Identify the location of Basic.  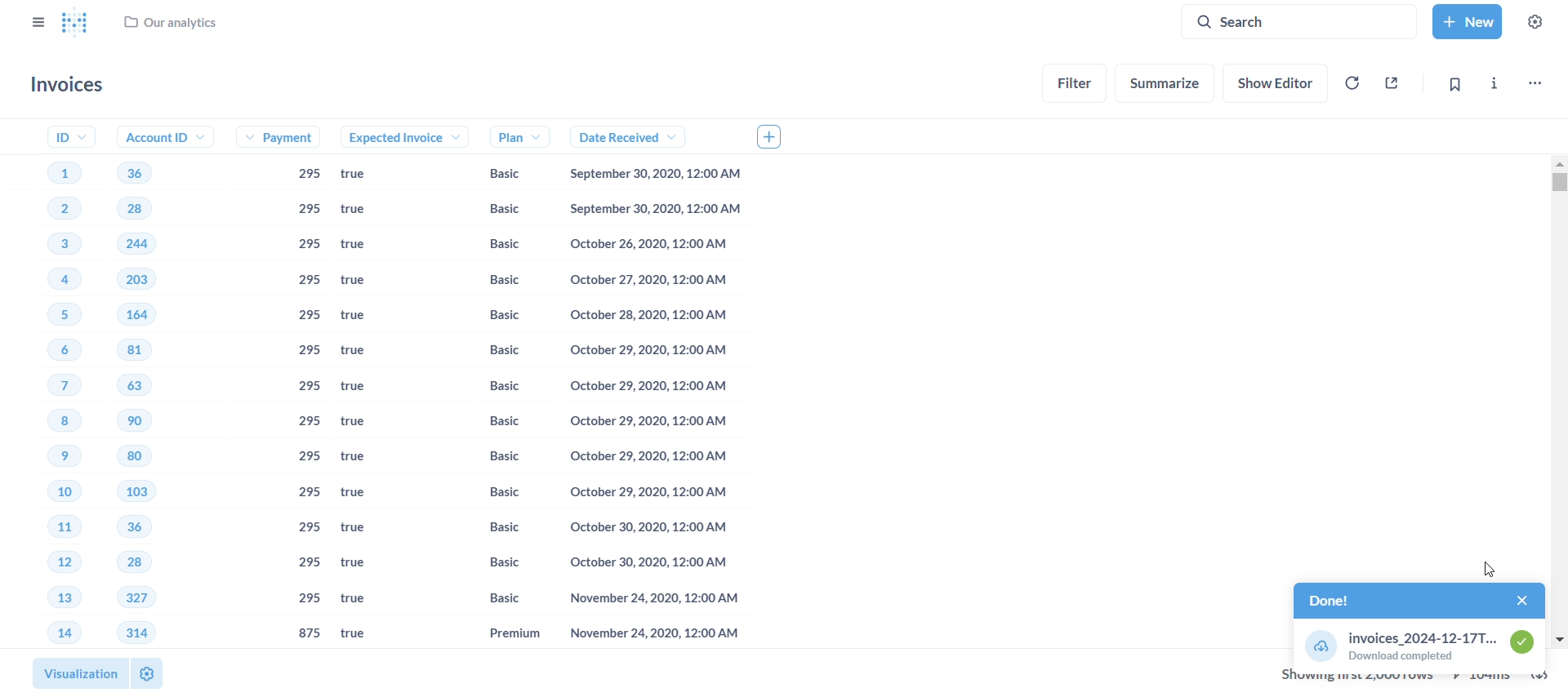
(492, 491).